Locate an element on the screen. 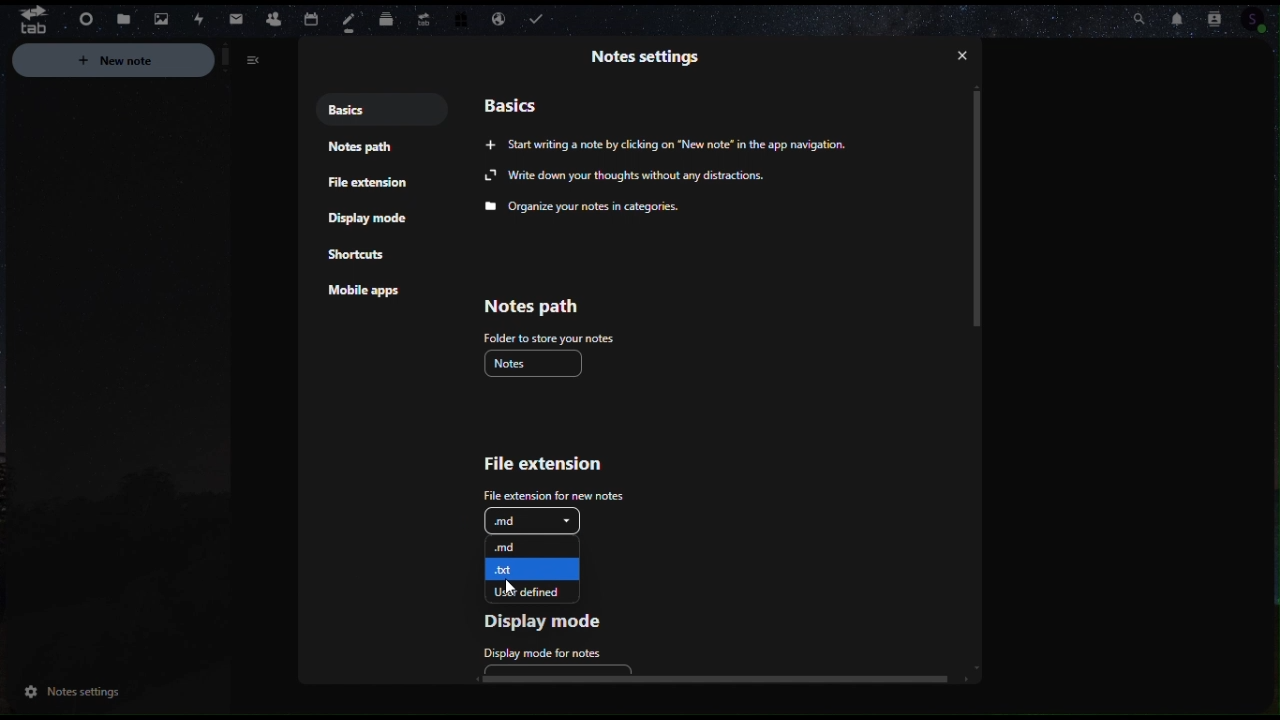 The image size is (1280, 720). Mail is located at coordinates (237, 20).